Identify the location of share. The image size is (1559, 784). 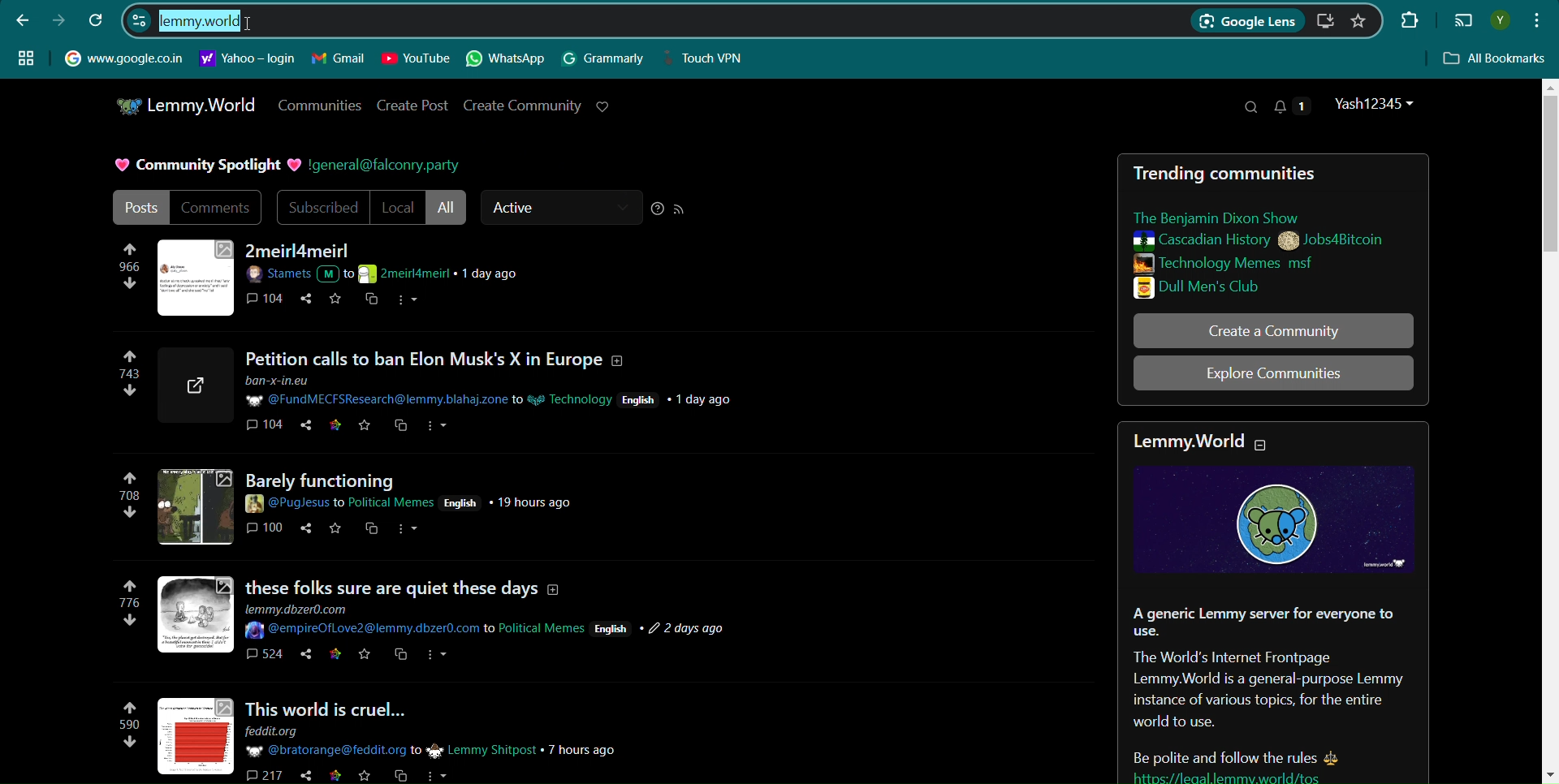
(301, 776).